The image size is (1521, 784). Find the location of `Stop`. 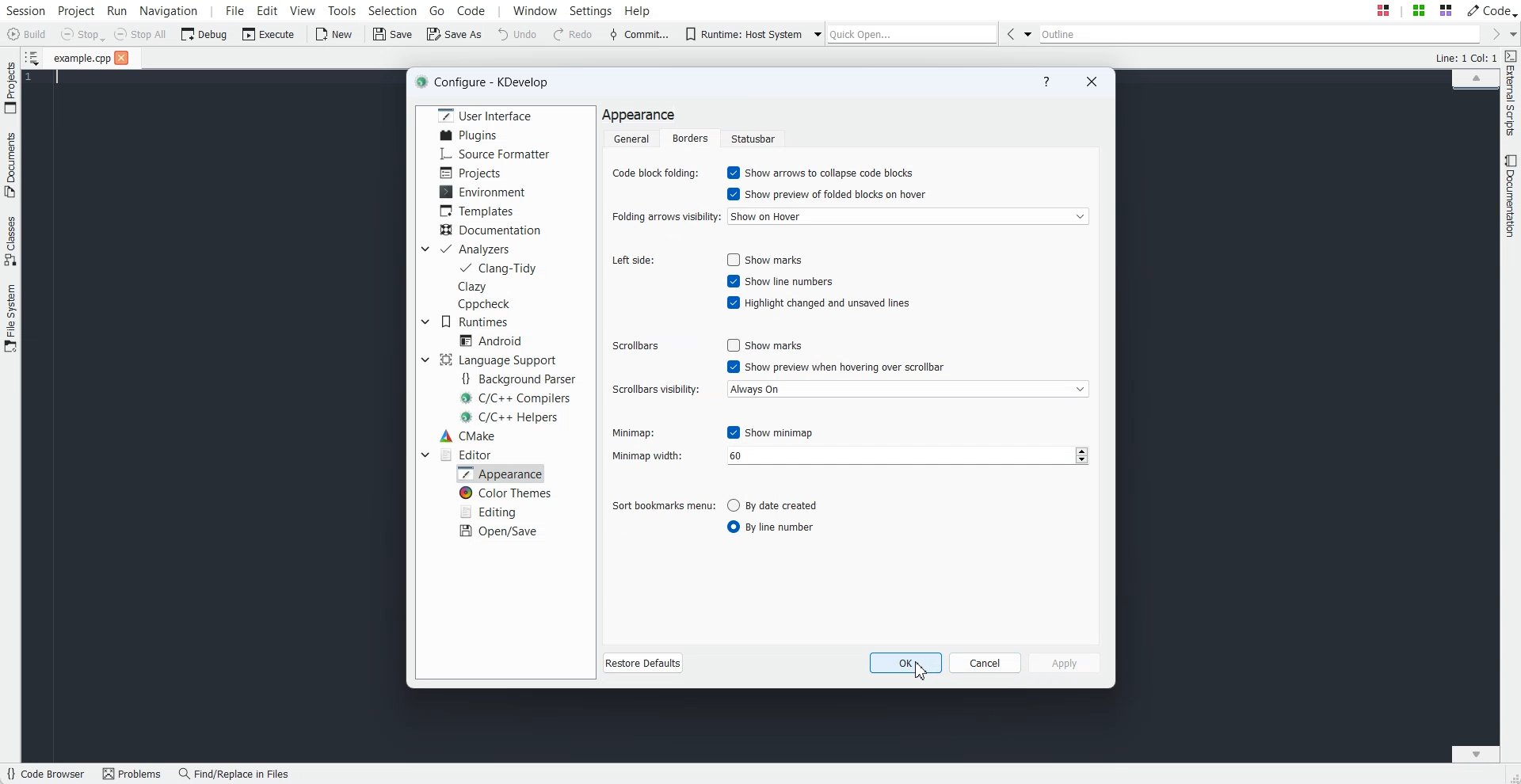

Stop is located at coordinates (82, 35).